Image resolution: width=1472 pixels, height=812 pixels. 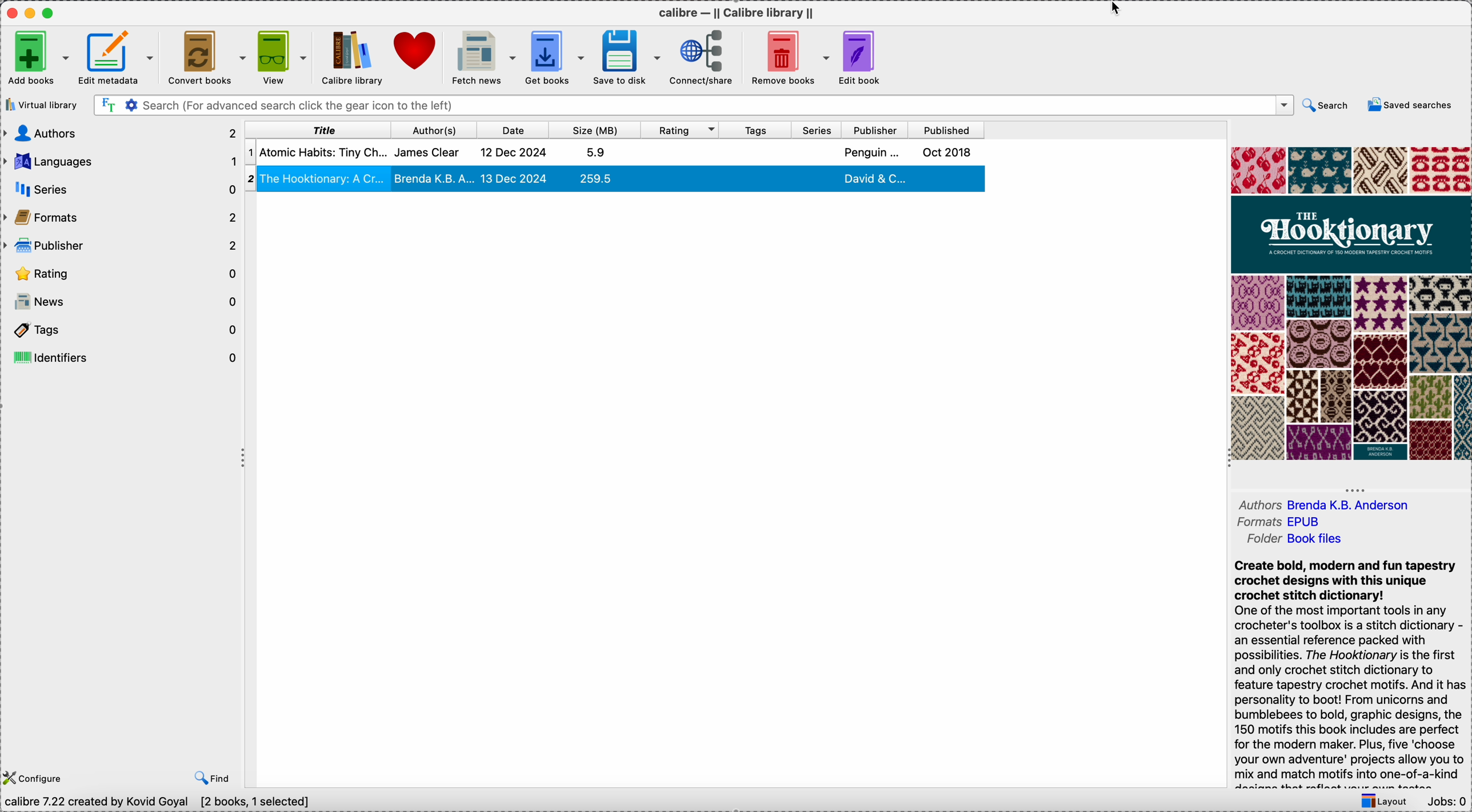 I want to click on close Calibre, so click(x=11, y=11).